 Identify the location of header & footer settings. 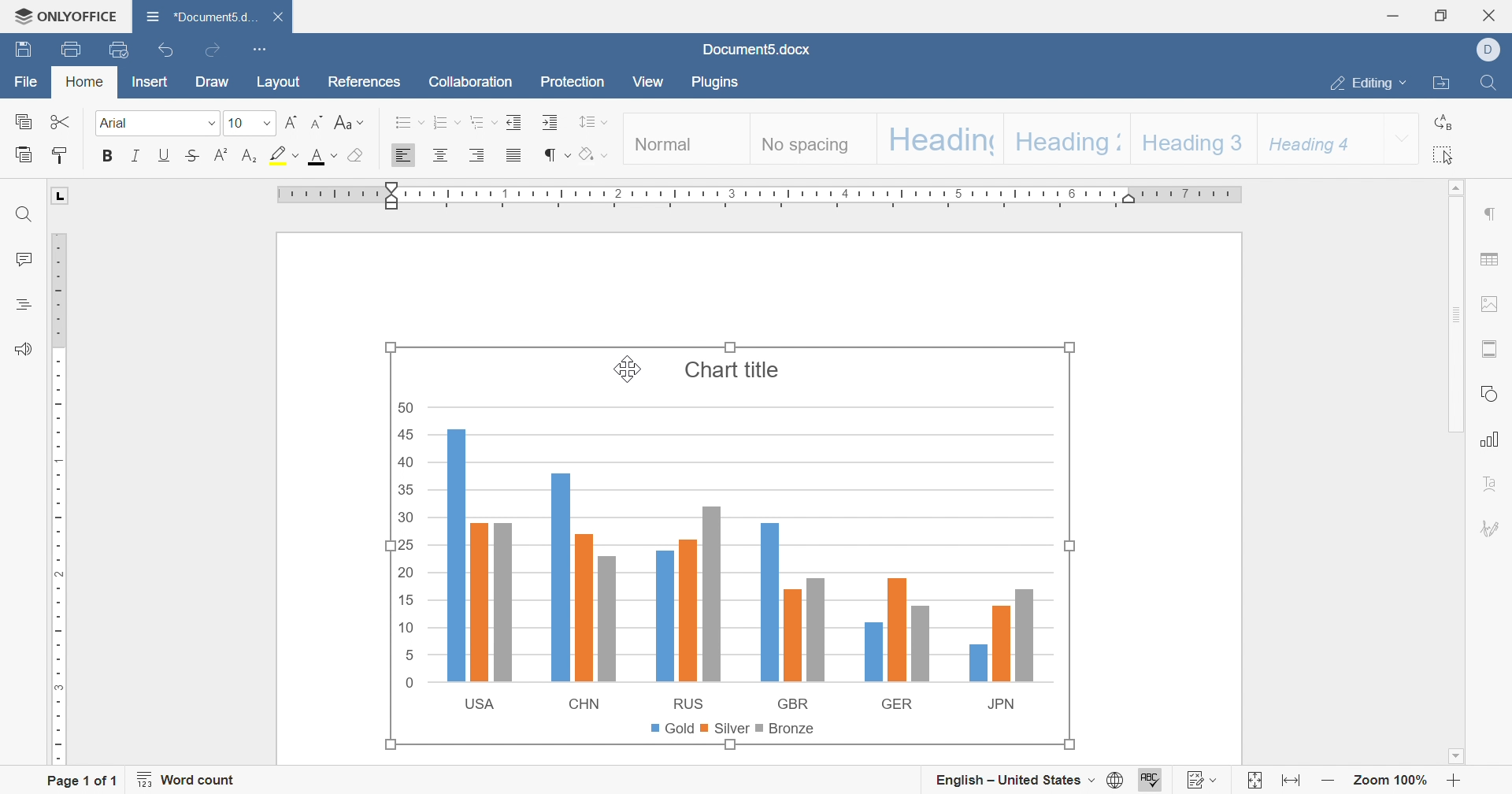
(1492, 350).